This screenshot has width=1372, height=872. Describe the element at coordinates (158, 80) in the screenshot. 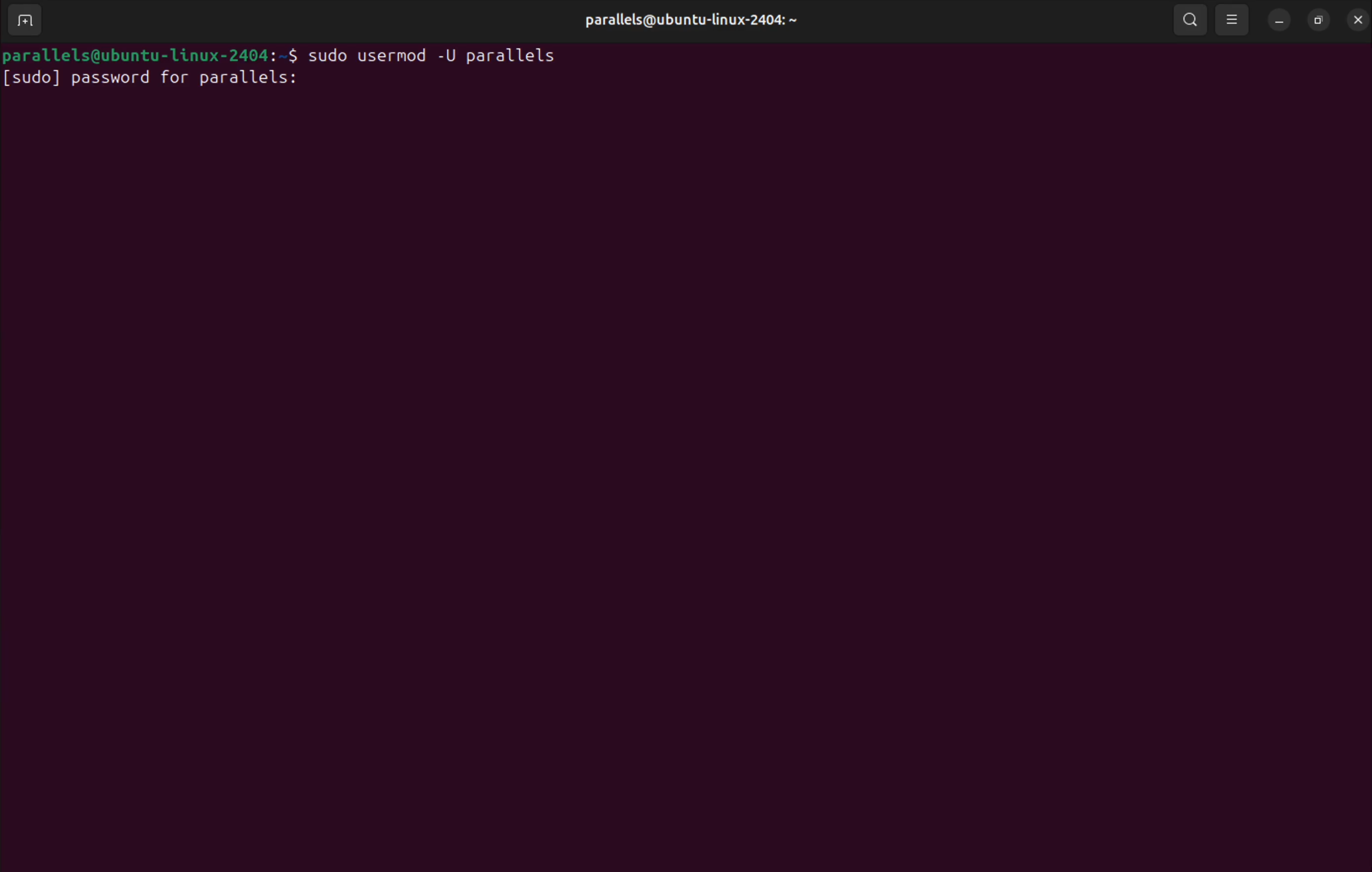

I see `password for parallels` at that location.